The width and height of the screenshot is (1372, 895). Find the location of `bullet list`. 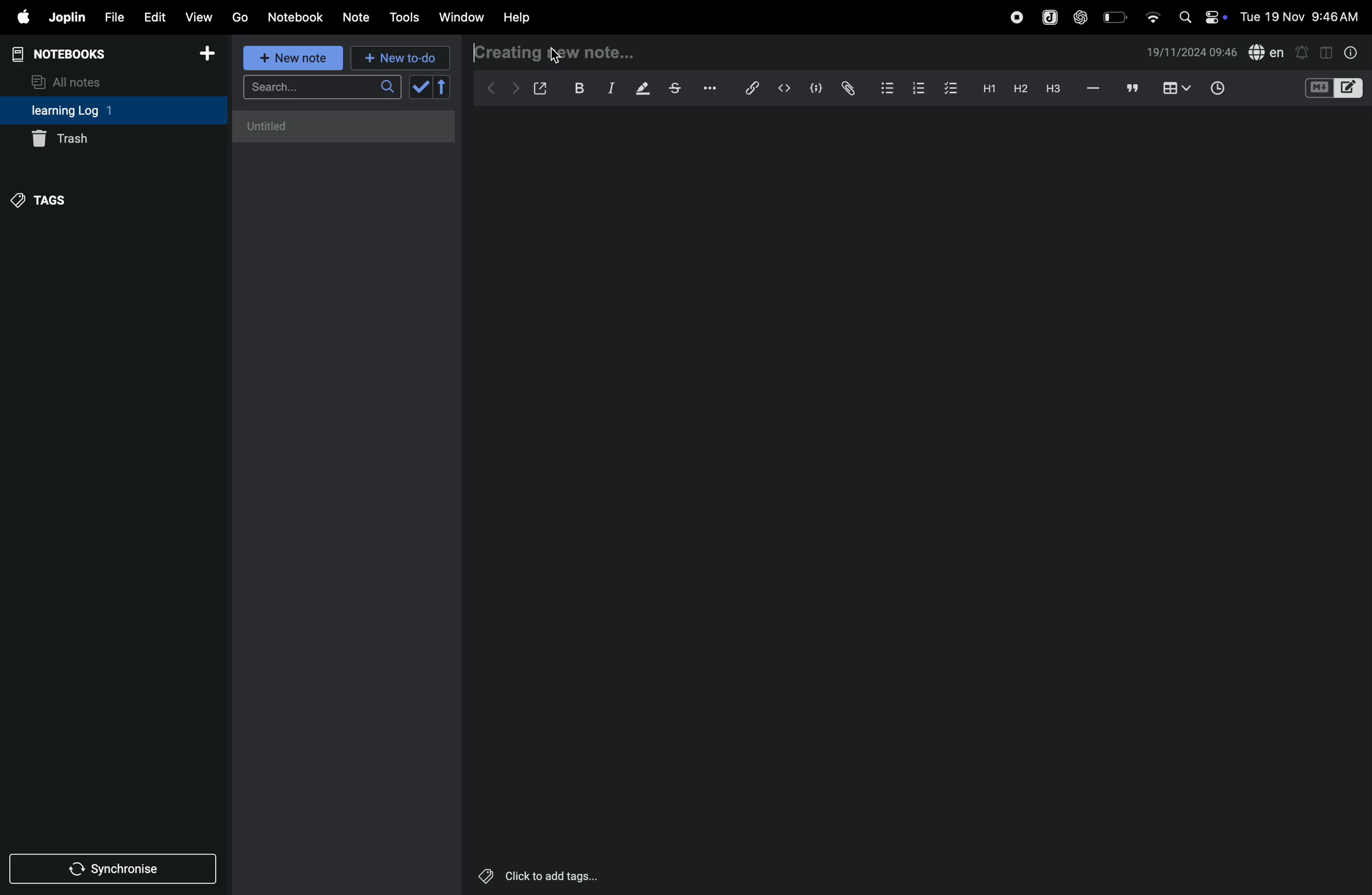

bullet list is located at coordinates (885, 87).